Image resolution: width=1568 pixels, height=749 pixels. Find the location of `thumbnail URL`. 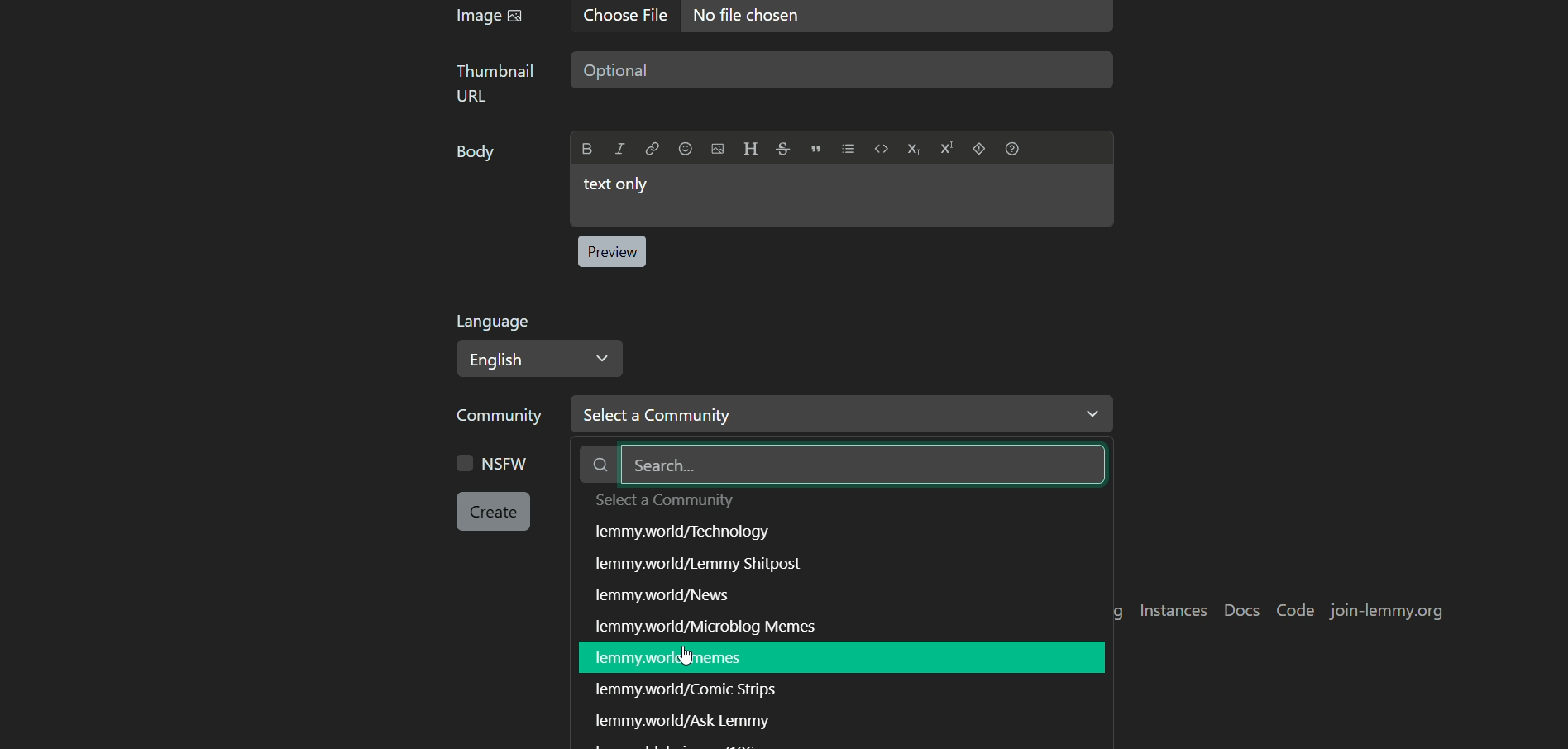

thumbnail URL is located at coordinates (498, 83).